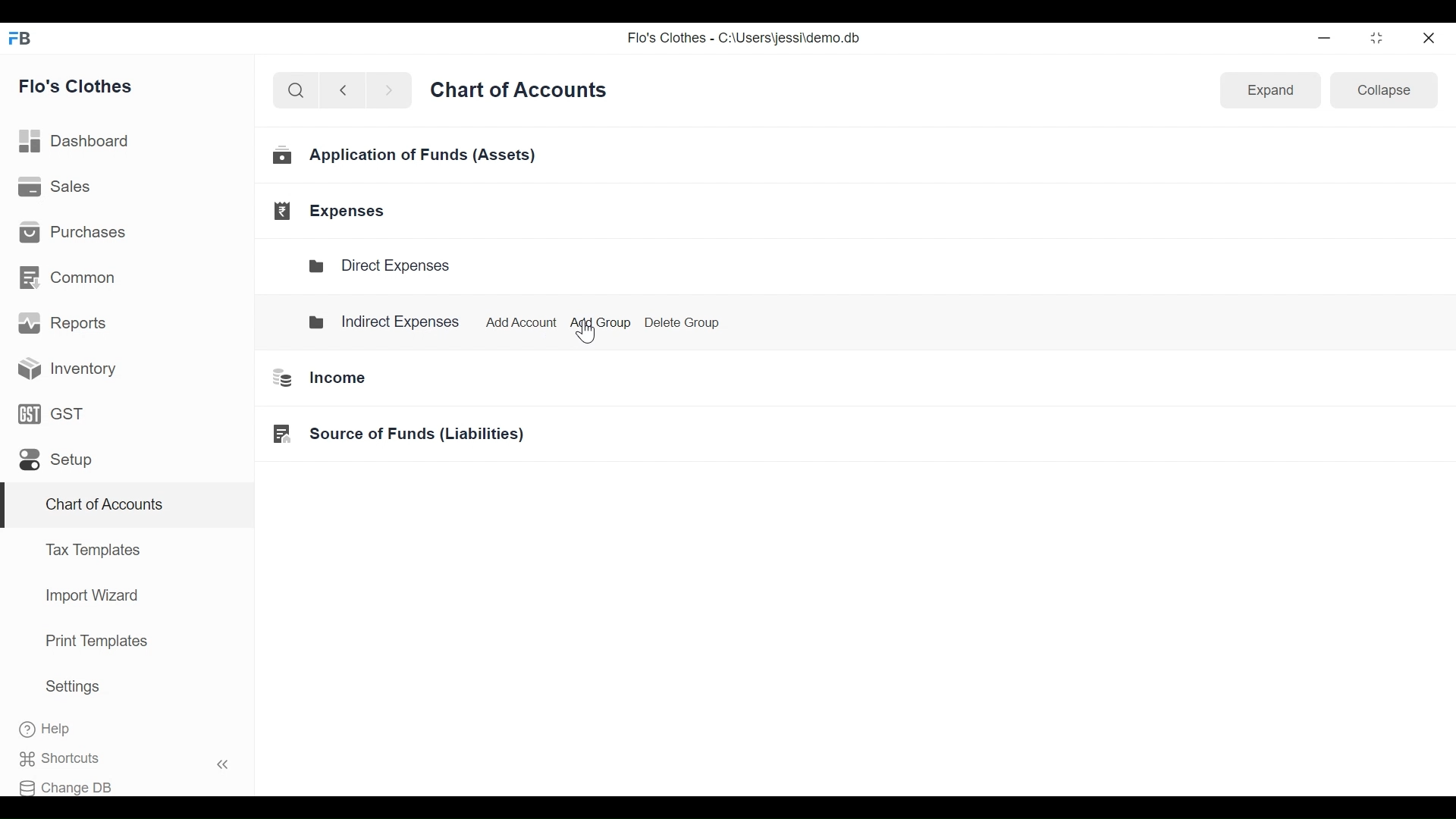 Image resolution: width=1456 pixels, height=819 pixels. I want to click on Settings, so click(72, 689).